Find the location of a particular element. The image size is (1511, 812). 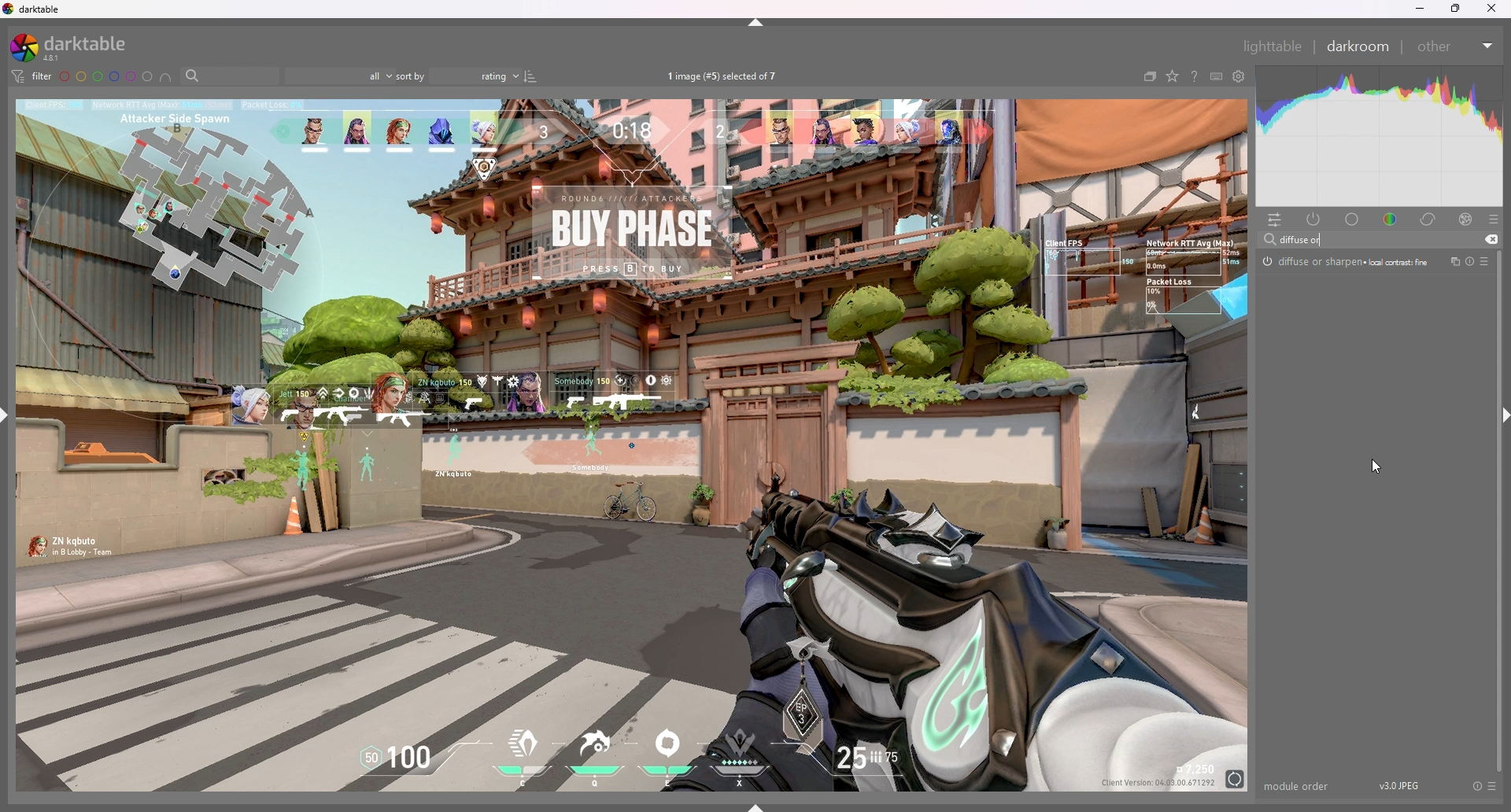

active modules is located at coordinates (1314, 219).